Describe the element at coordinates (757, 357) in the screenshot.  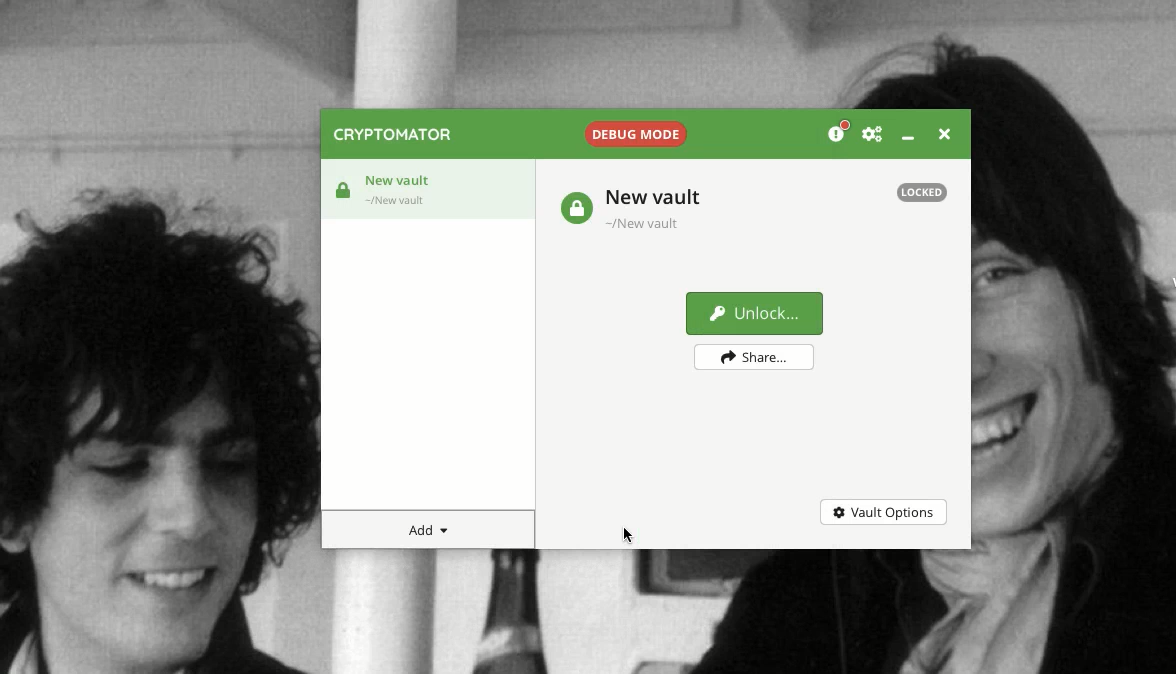
I see `Share...` at that location.